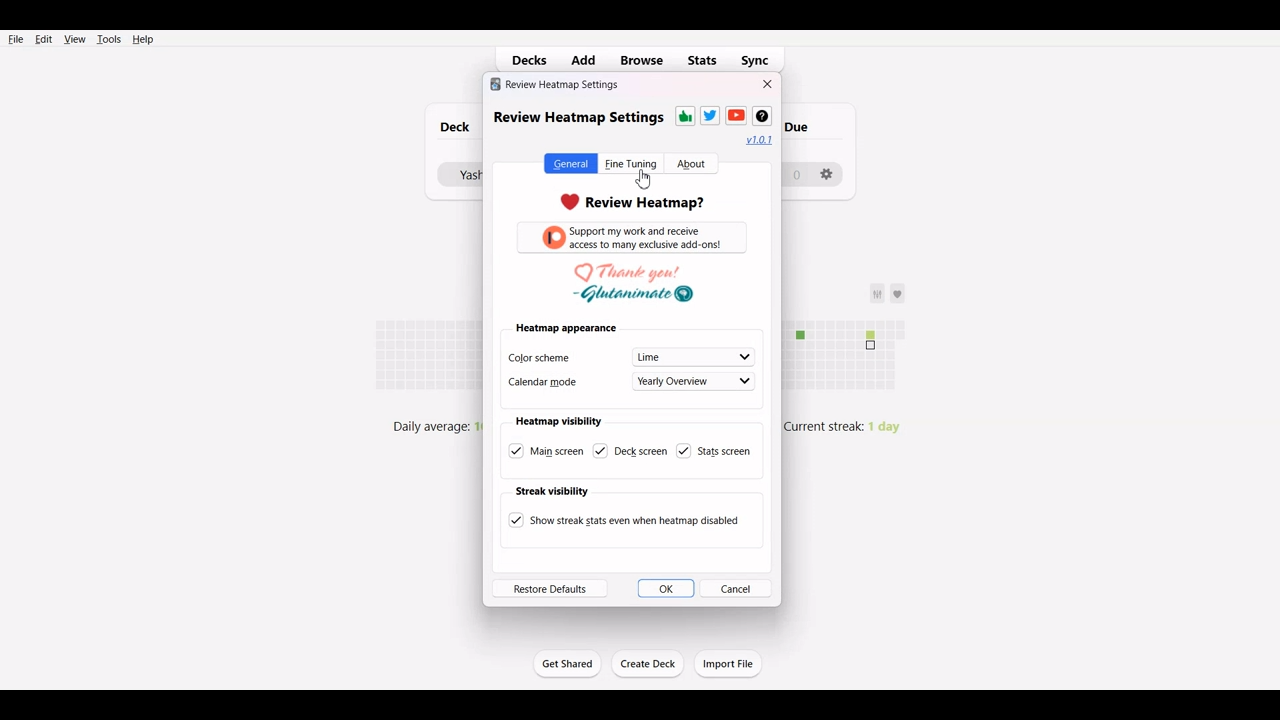 This screenshot has width=1280, height=720. I want to click on Edit, so click(43, 39).